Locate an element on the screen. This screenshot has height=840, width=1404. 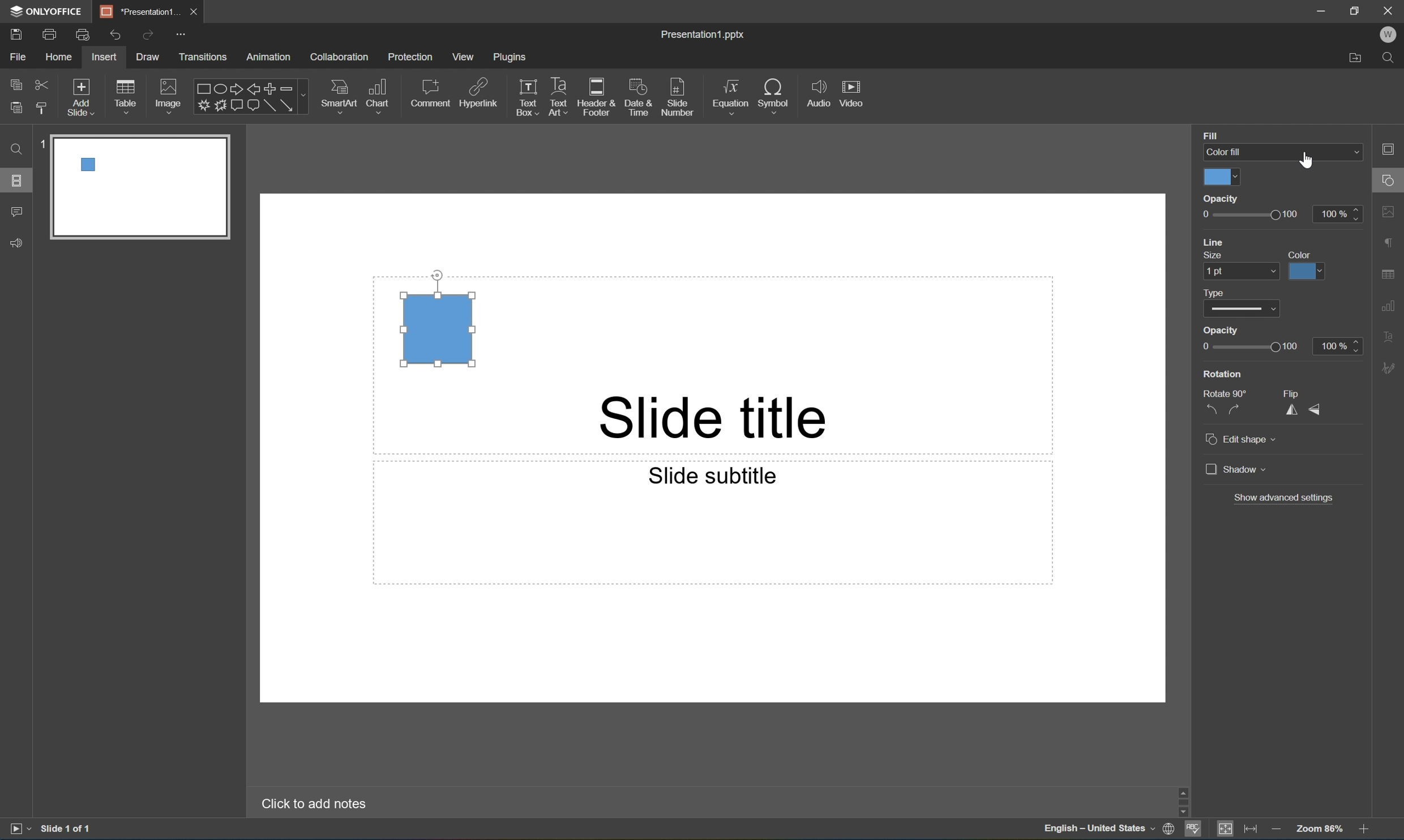
Close is located at coordinates (1392, 10).